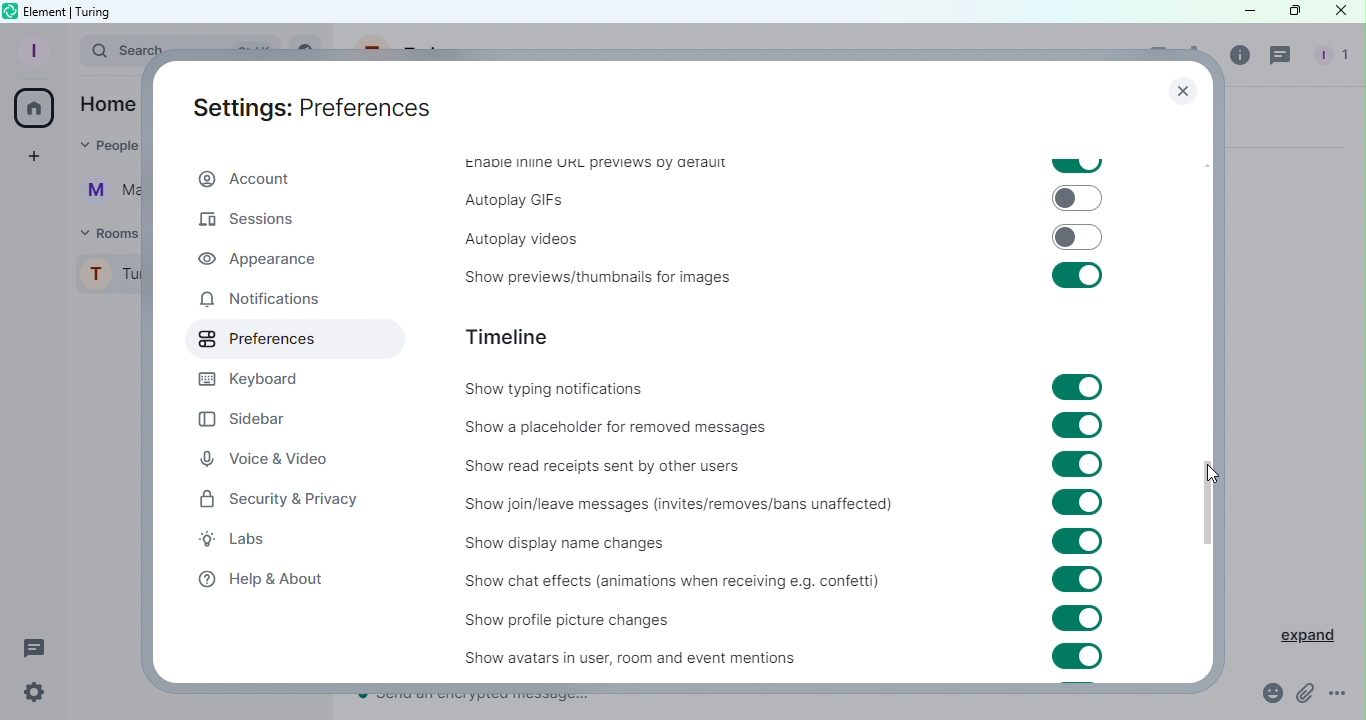  Describe the element at coordinates (262, 580) in the screenshot. I see `Help and about` at that location.